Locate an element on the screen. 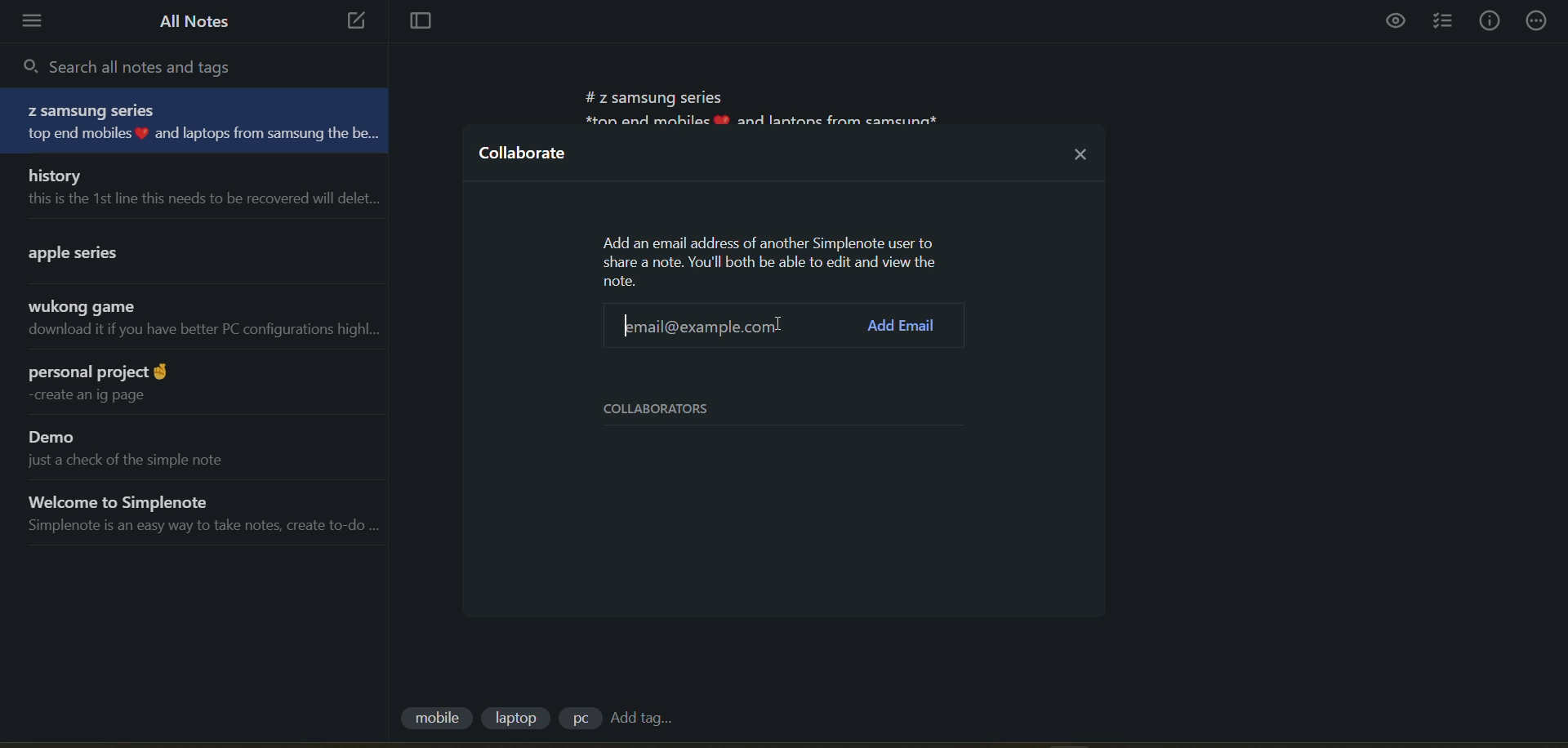 This screenshot has width=1568, height=748. tag 3 is located at coordinates (579, 718).